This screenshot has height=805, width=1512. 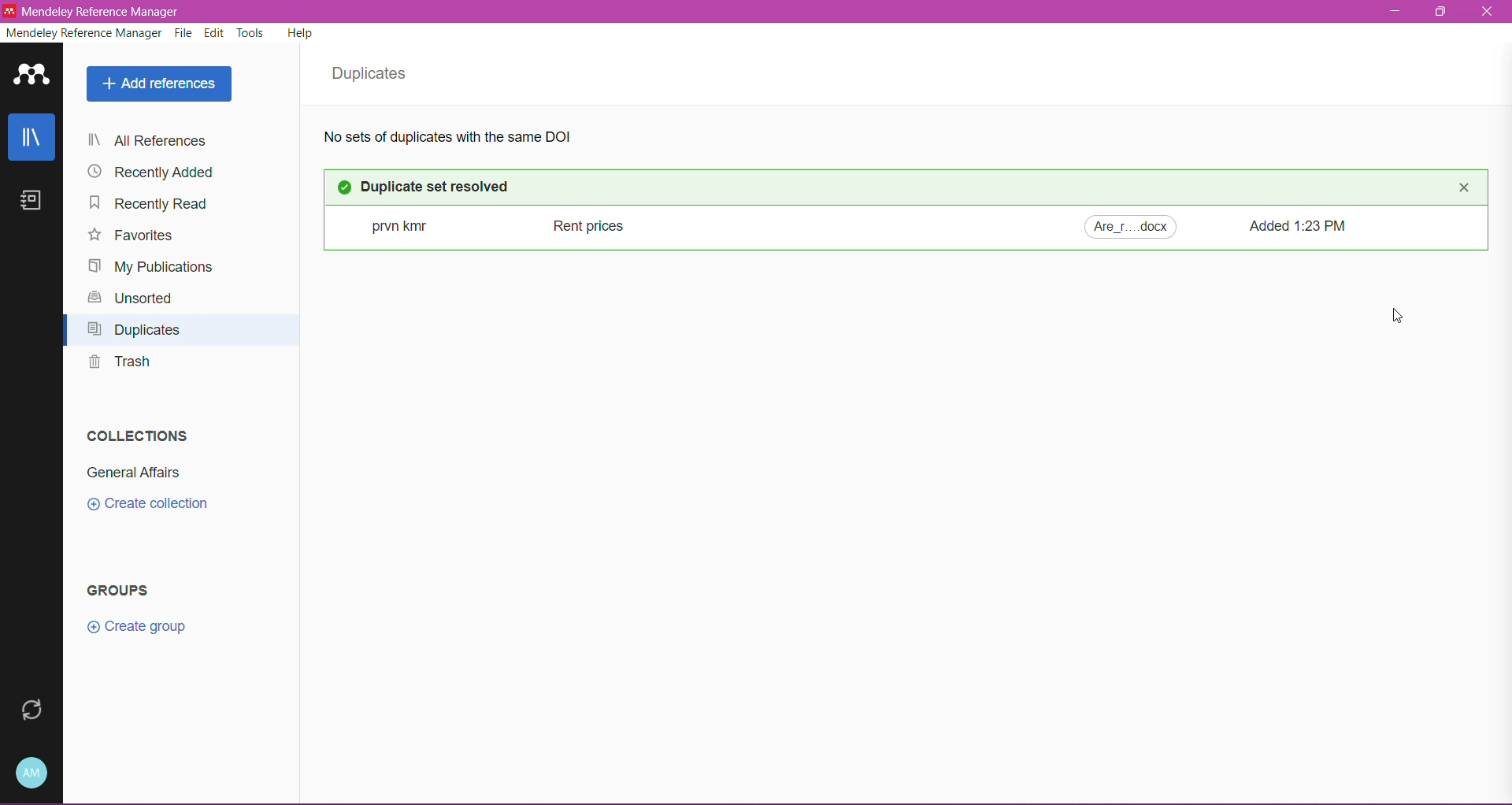 I want to click on Unsorted, so click(x=131, y=299).